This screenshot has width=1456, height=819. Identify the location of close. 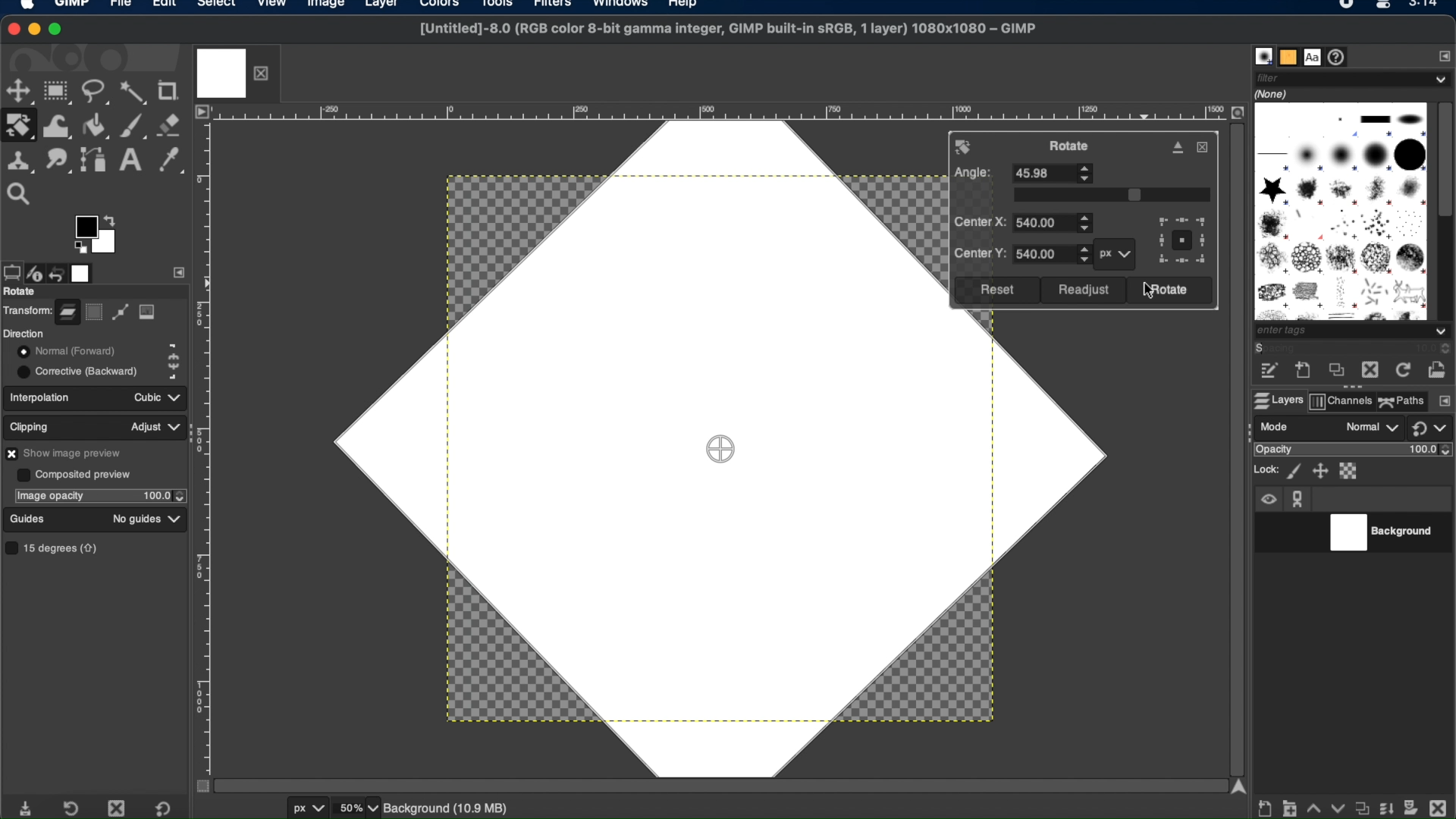
(14, 27).